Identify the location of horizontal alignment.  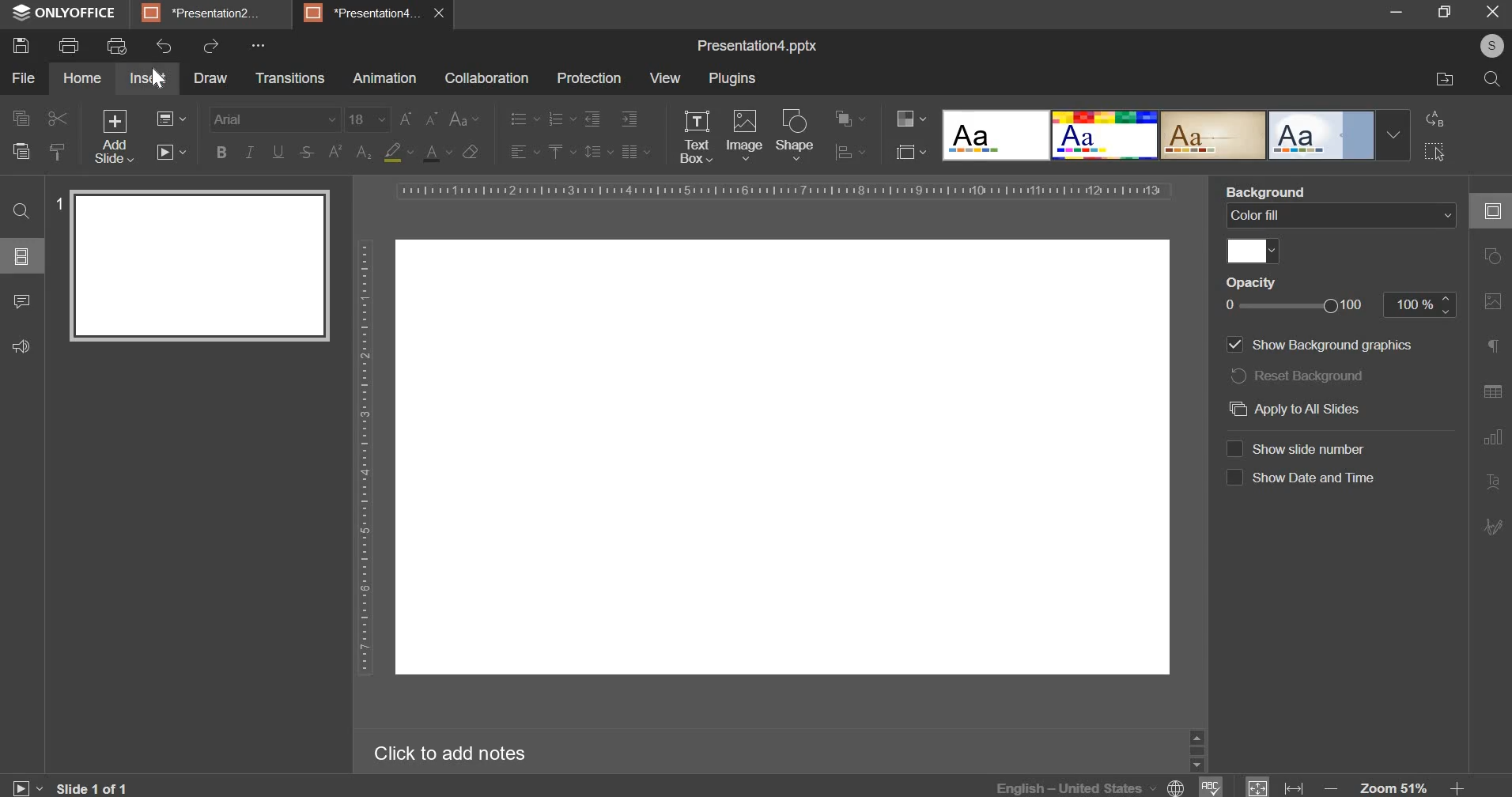
(524, 152).